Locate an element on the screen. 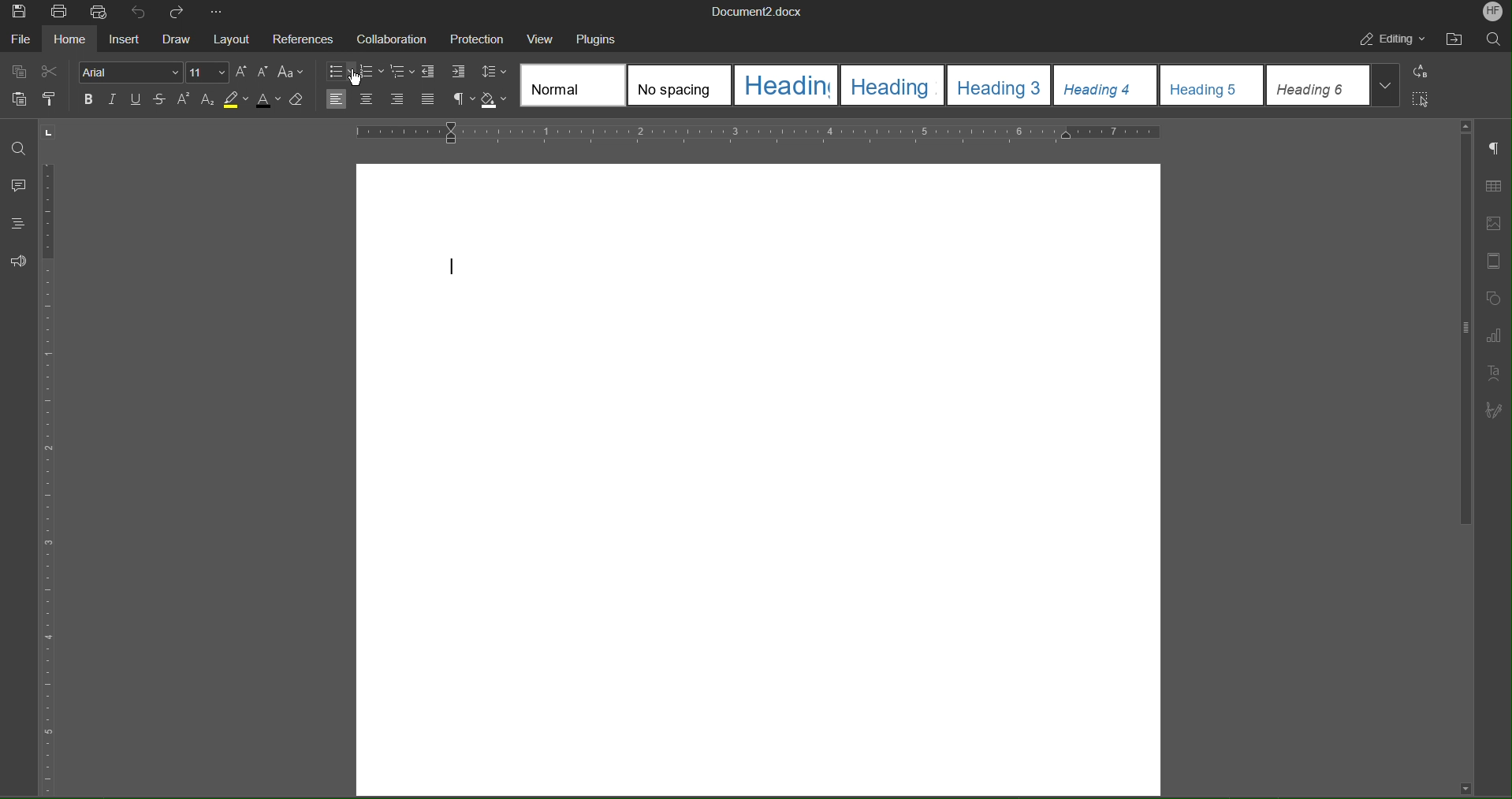  Text Color is located at coordinates (269, 99).